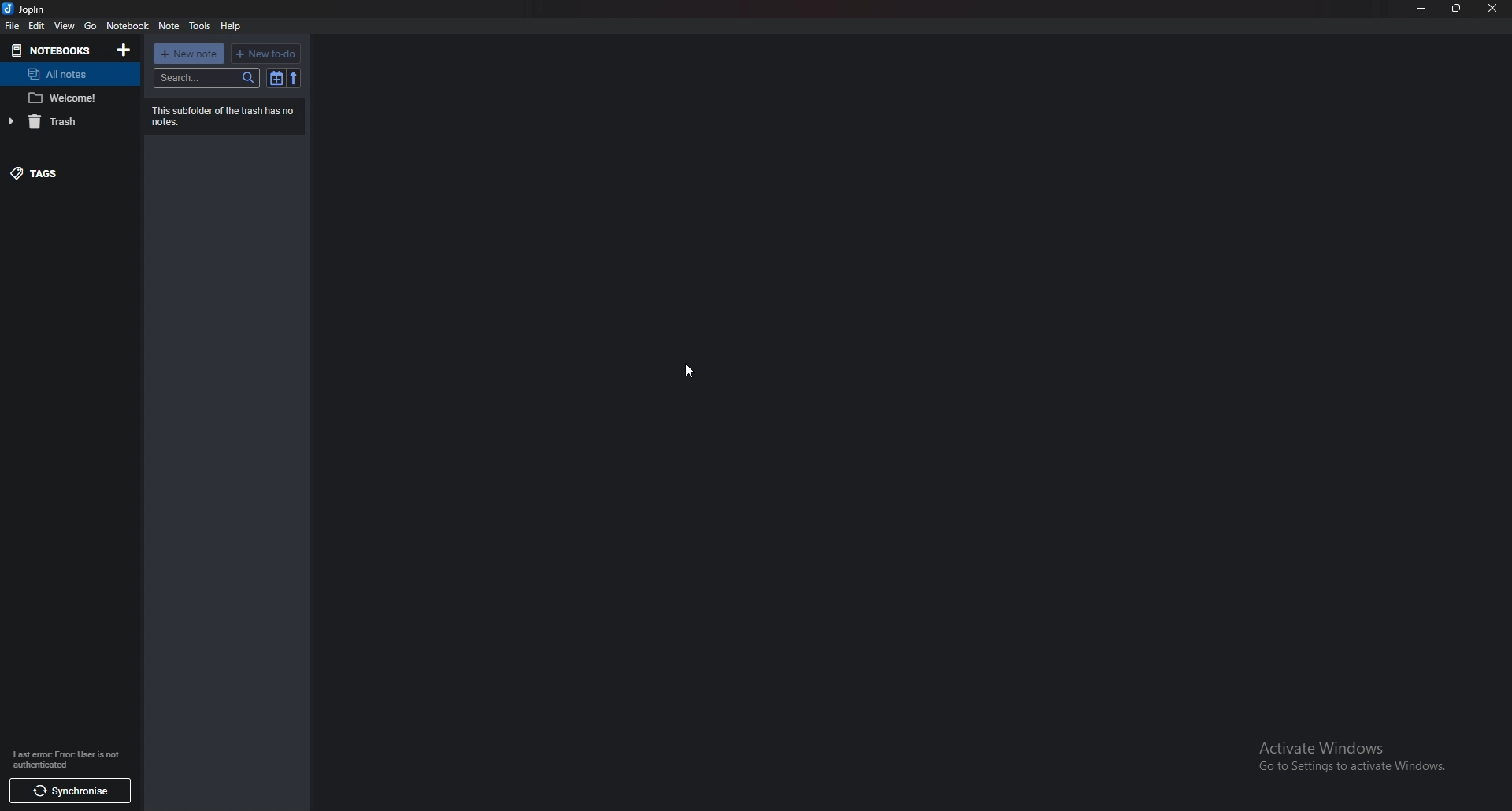  I want to click on file, so click(13, 25).